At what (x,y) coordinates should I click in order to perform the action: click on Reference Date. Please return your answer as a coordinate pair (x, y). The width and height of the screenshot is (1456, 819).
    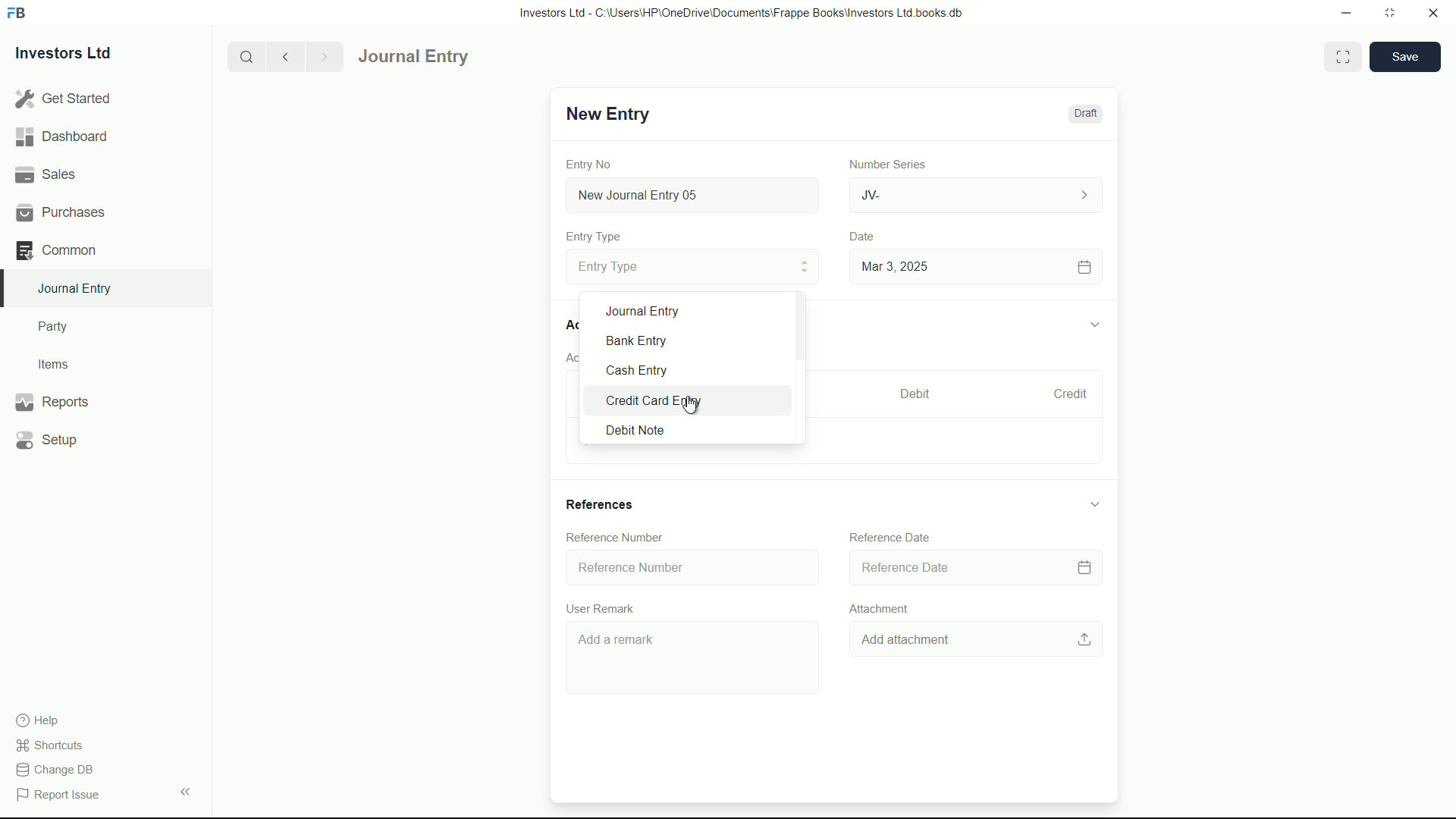
    Looking at the image, I should click on (971, 569).